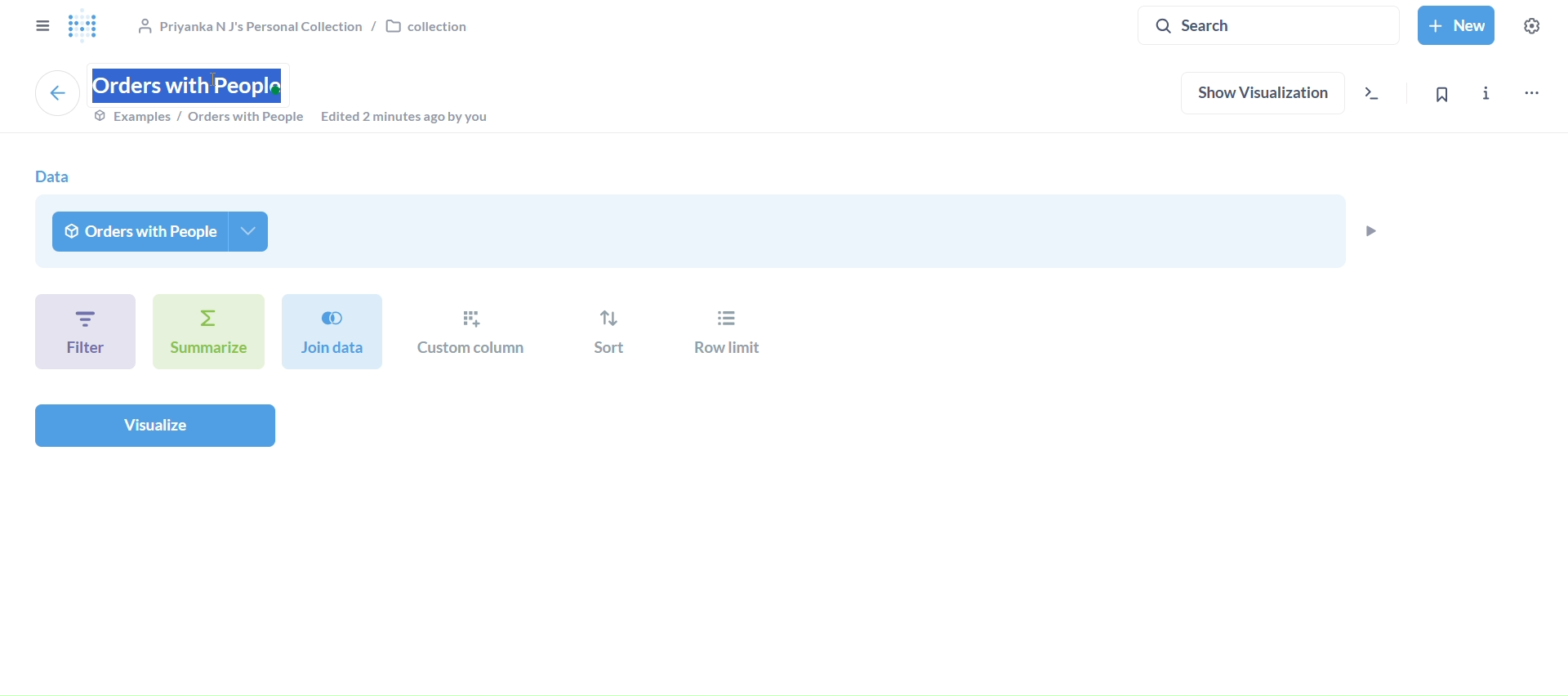  I want to click on settings, so click(1534, 27).